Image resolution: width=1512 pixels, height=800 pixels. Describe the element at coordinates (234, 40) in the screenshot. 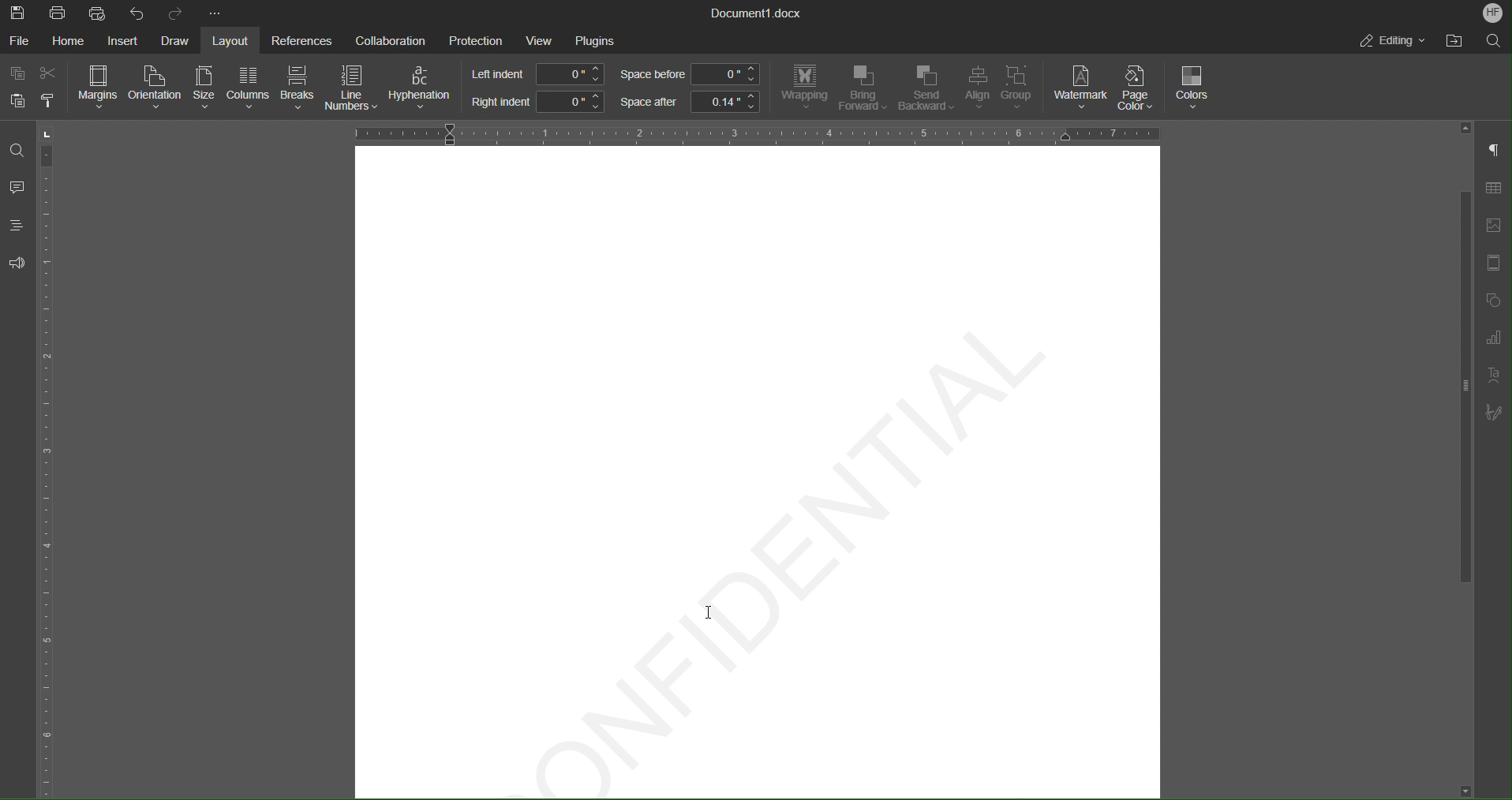

I see `Layout` at that location.